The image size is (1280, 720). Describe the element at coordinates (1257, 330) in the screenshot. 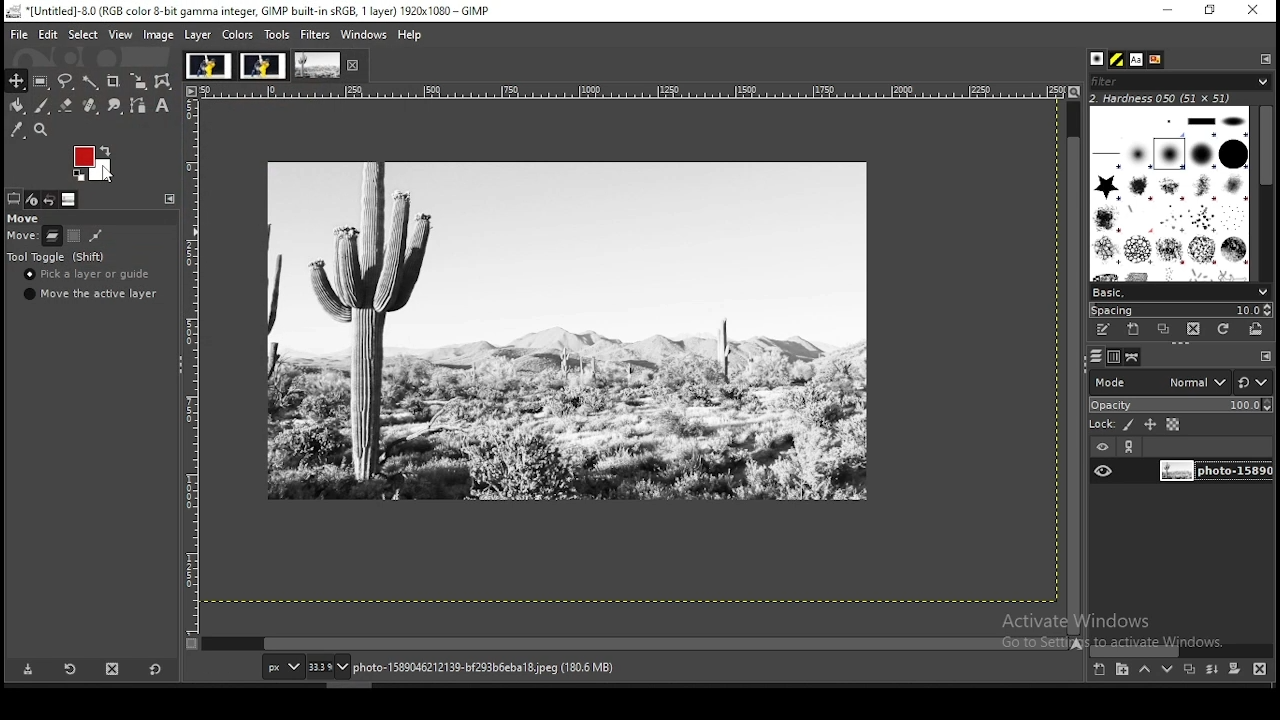

I see `open brush as image` at that location.